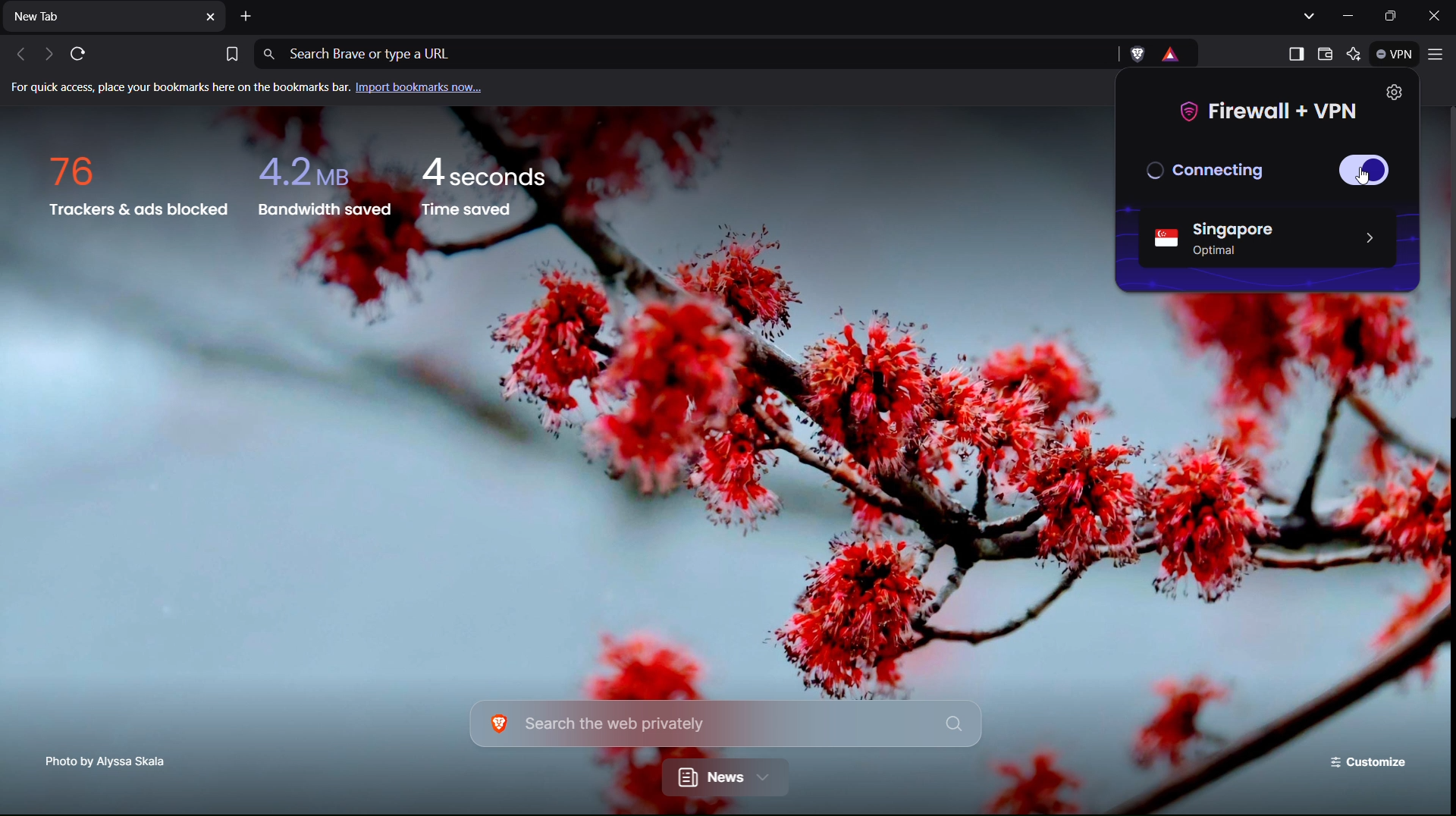  Describe the element at coordinates (231, 52) in the screenshot. I see `Bookmark` at that location.